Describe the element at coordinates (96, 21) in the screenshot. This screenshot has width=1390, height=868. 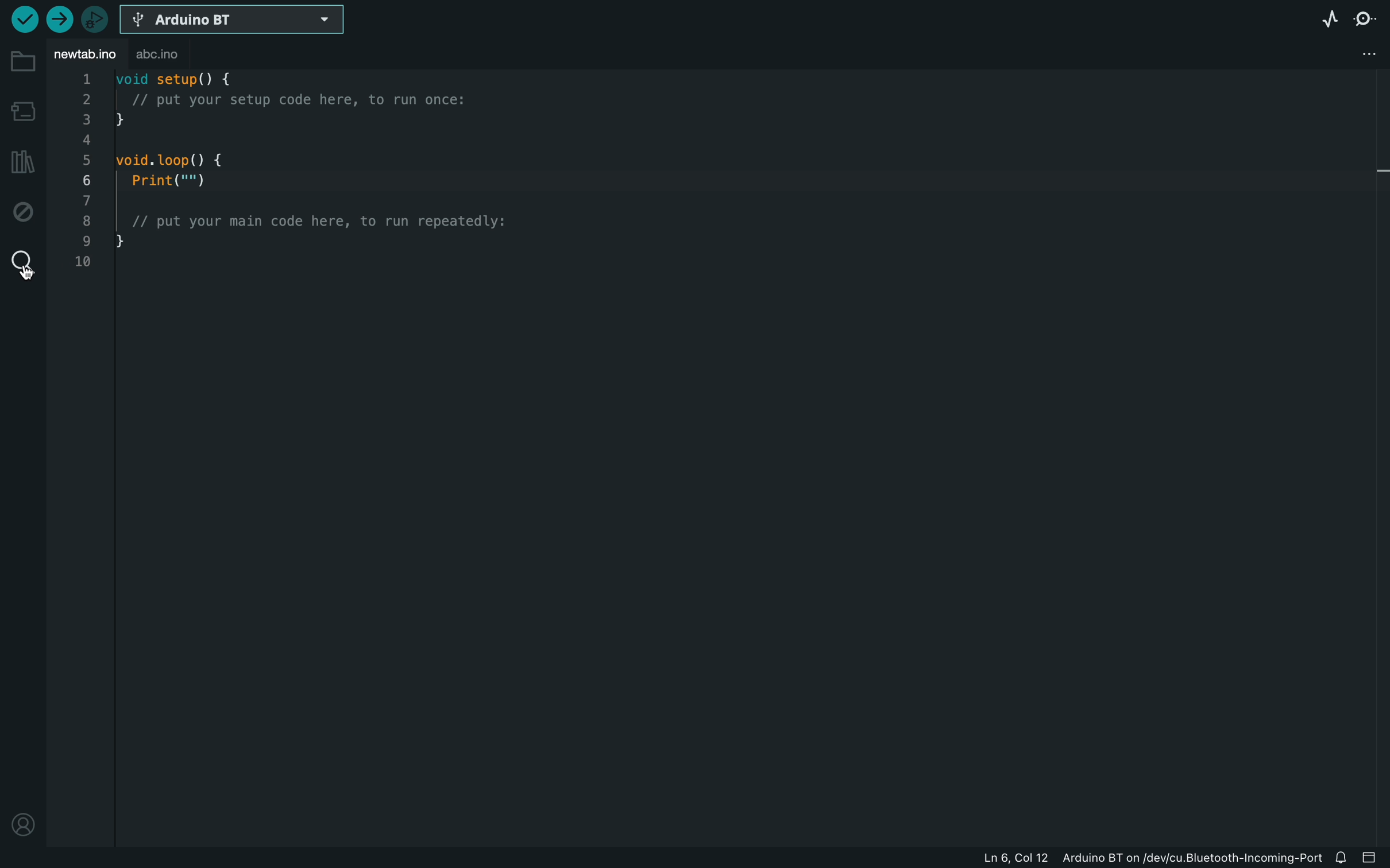
I see `debugger` at that location.